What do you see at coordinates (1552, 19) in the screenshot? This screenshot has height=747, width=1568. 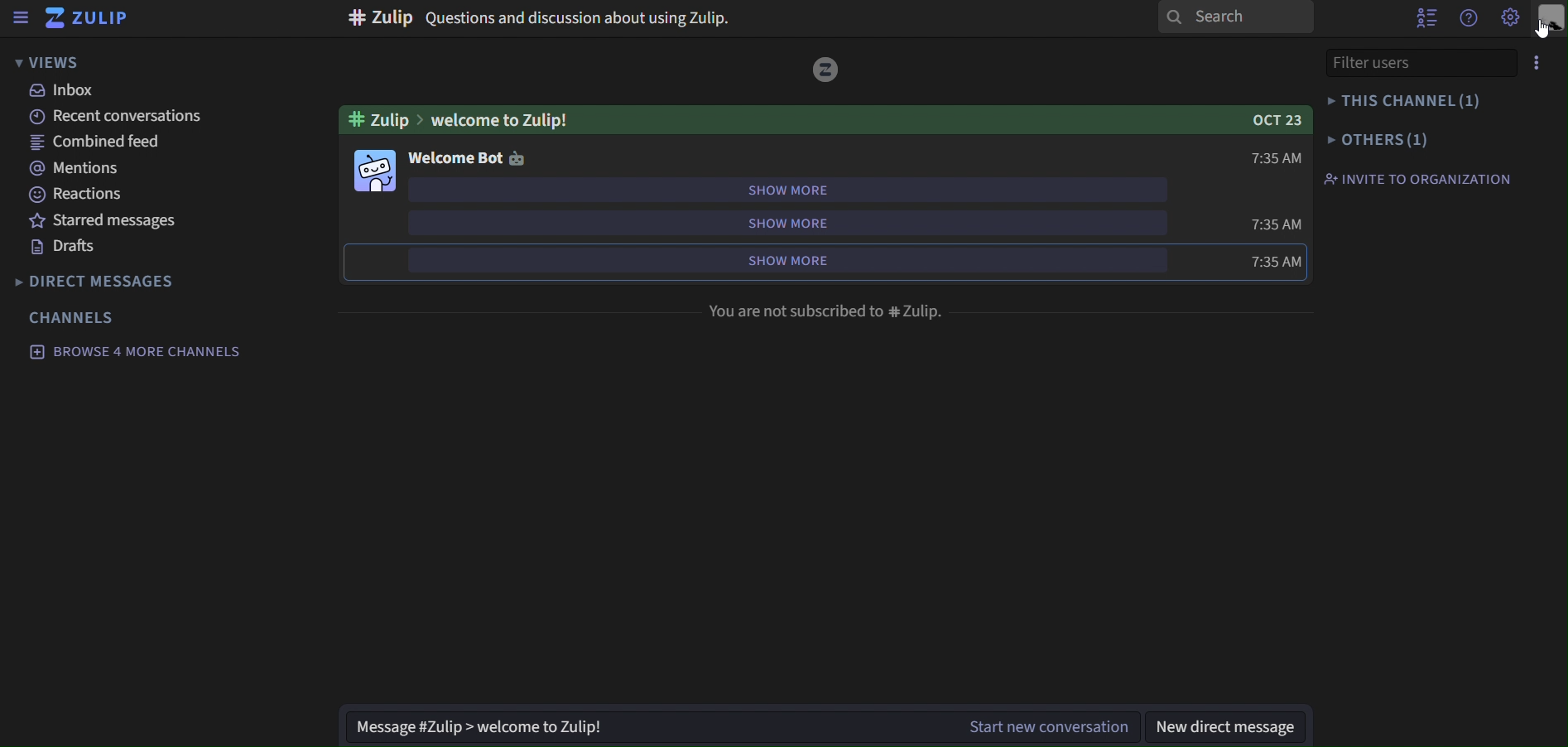 I see `personal menu` at bounding box center [1552, 19].